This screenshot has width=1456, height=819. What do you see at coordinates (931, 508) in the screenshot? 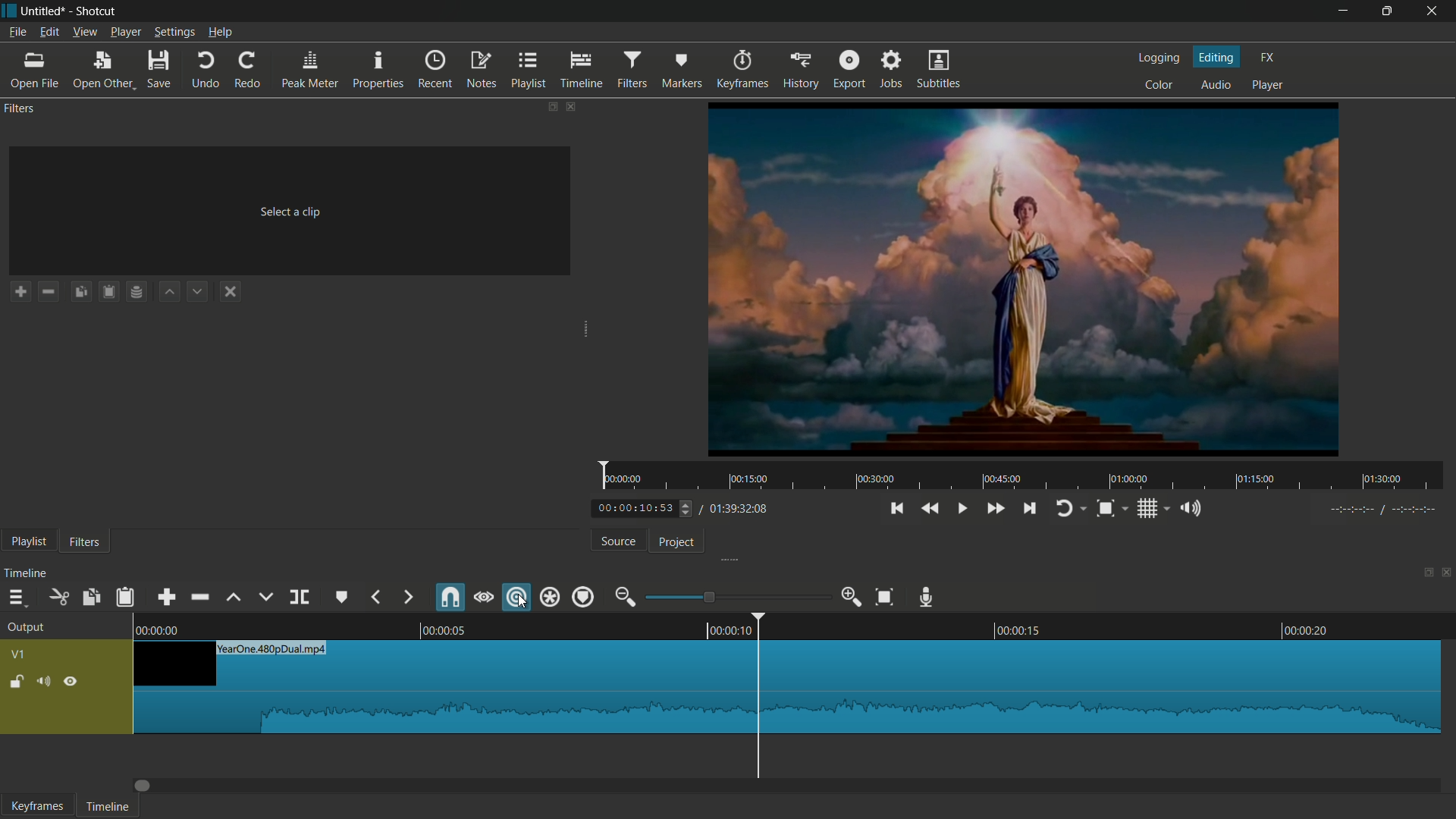
I see `quickly play backward` at bounding box center [931, 508].